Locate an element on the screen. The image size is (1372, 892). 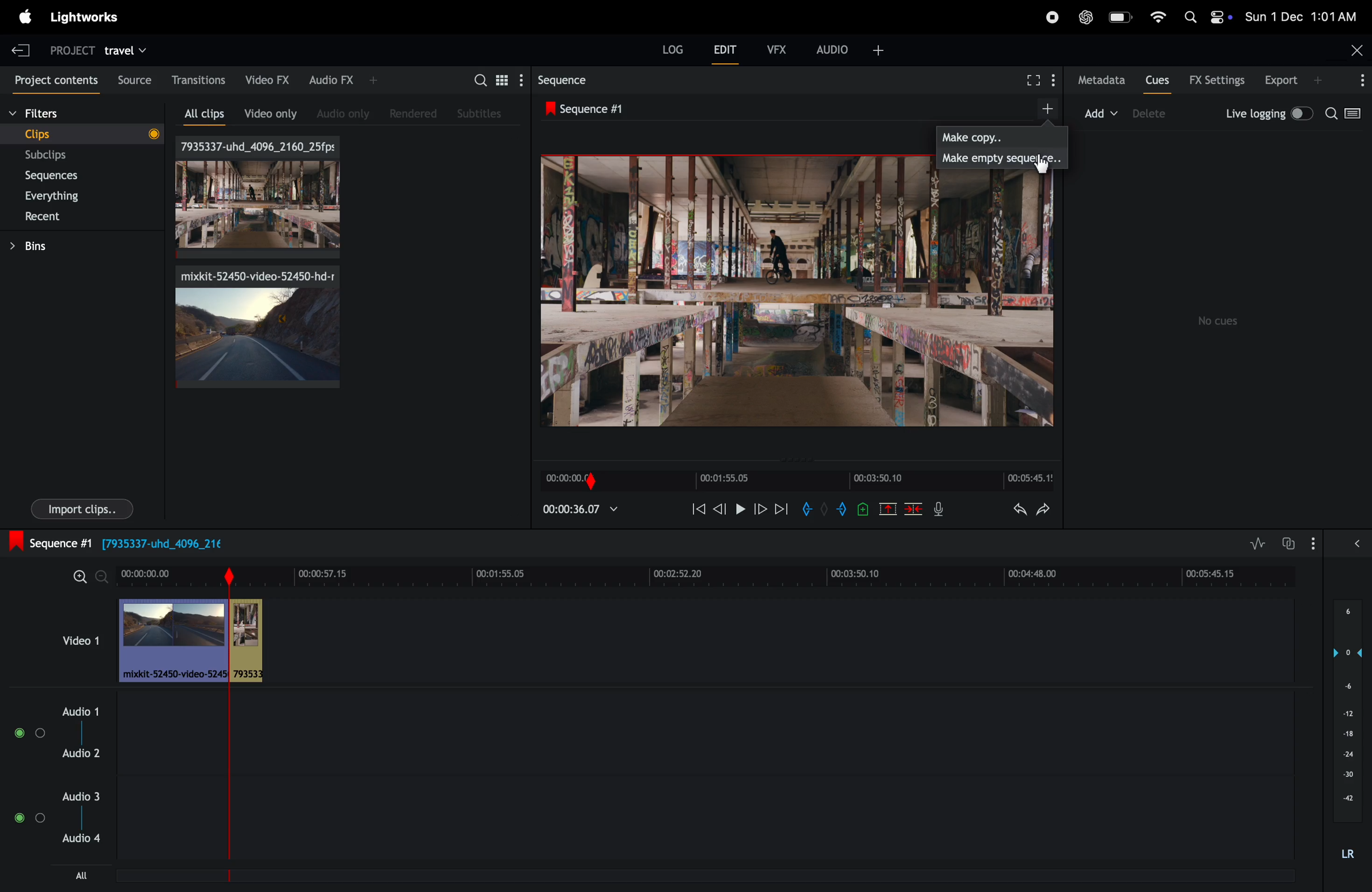
make empty sequence is located at coordinates (1002, 157).